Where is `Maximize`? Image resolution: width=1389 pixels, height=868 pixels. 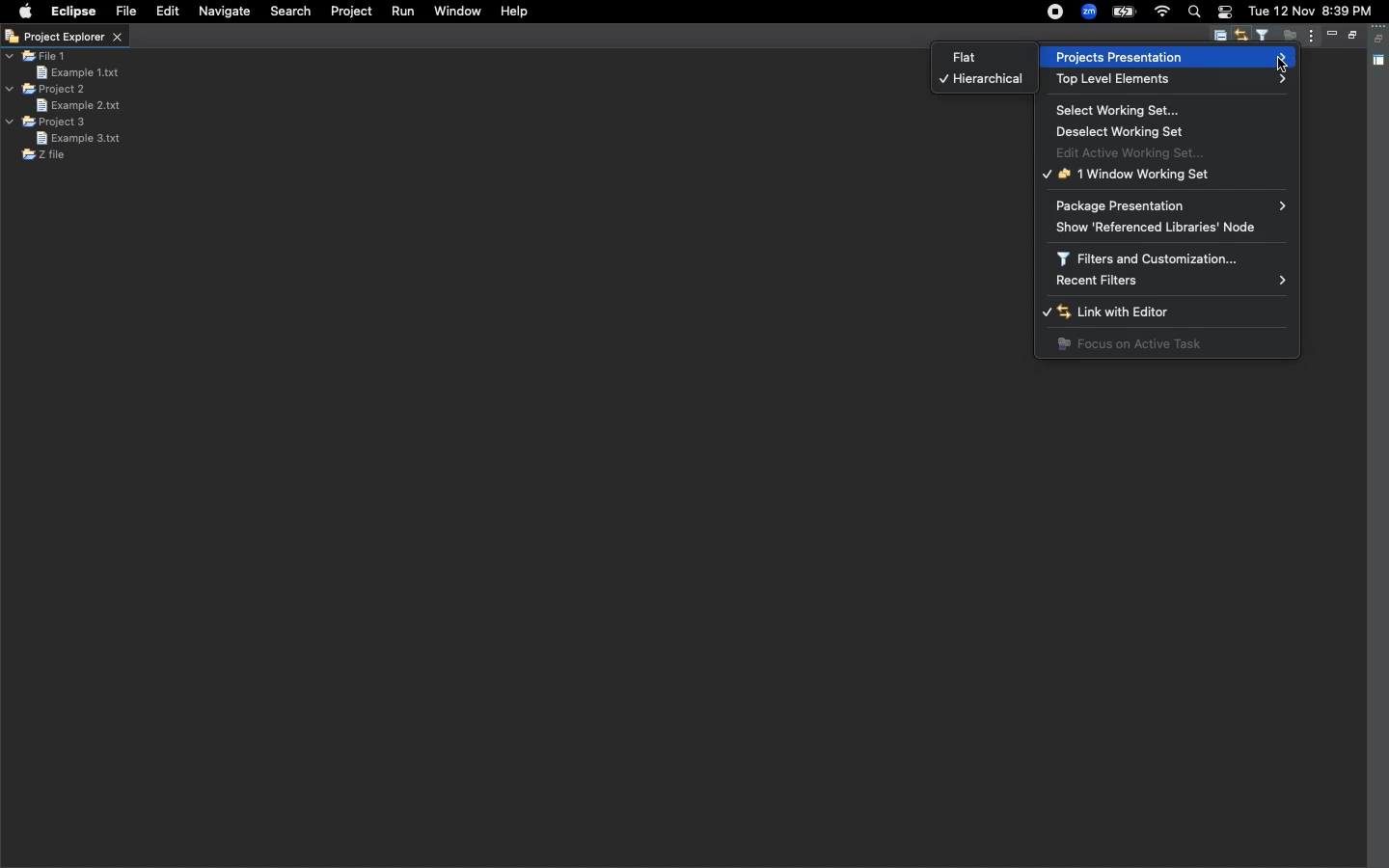
Maximize is located at coordinates (1350, 37).